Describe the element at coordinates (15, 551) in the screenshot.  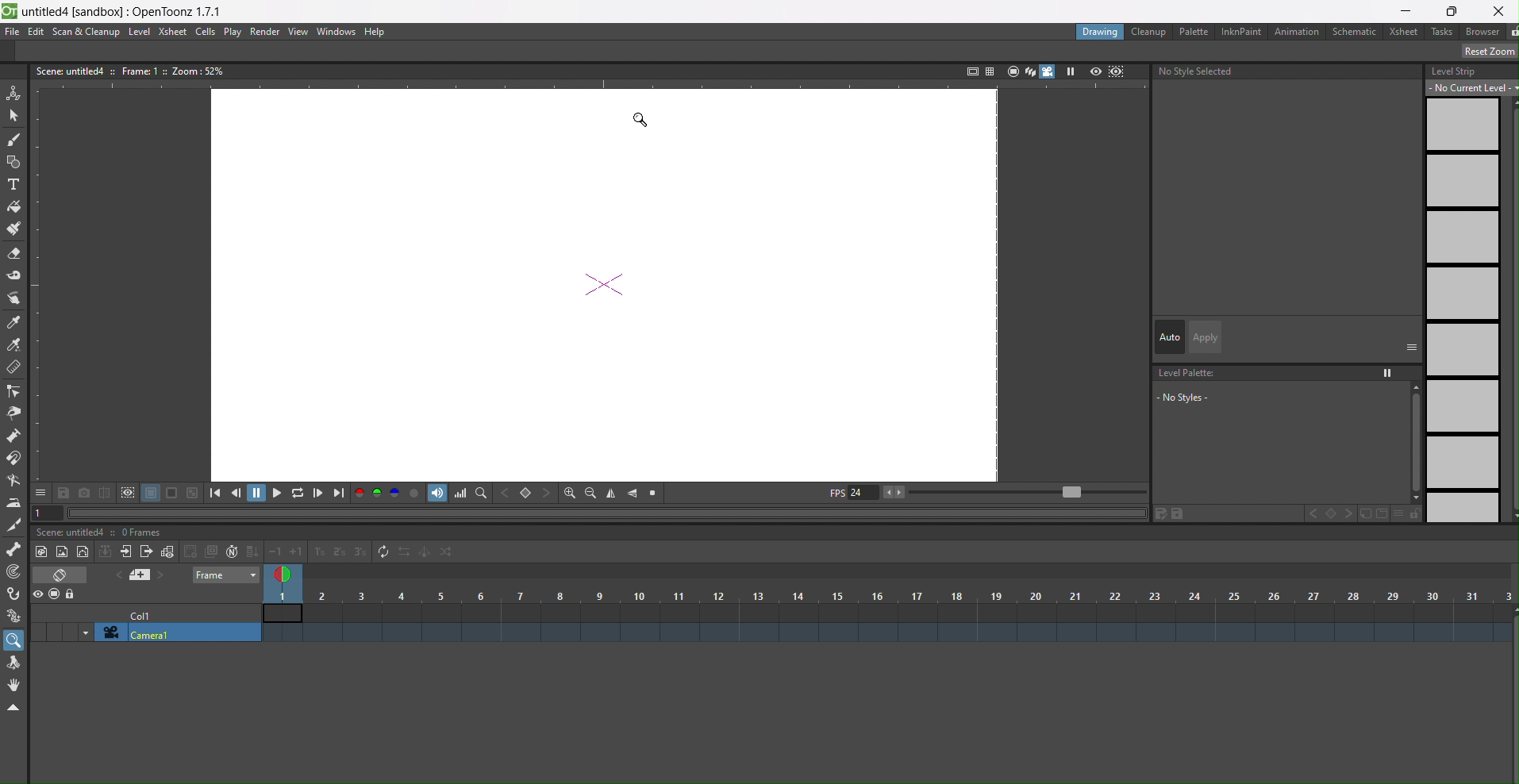
I see `skeleton tool` at that location.